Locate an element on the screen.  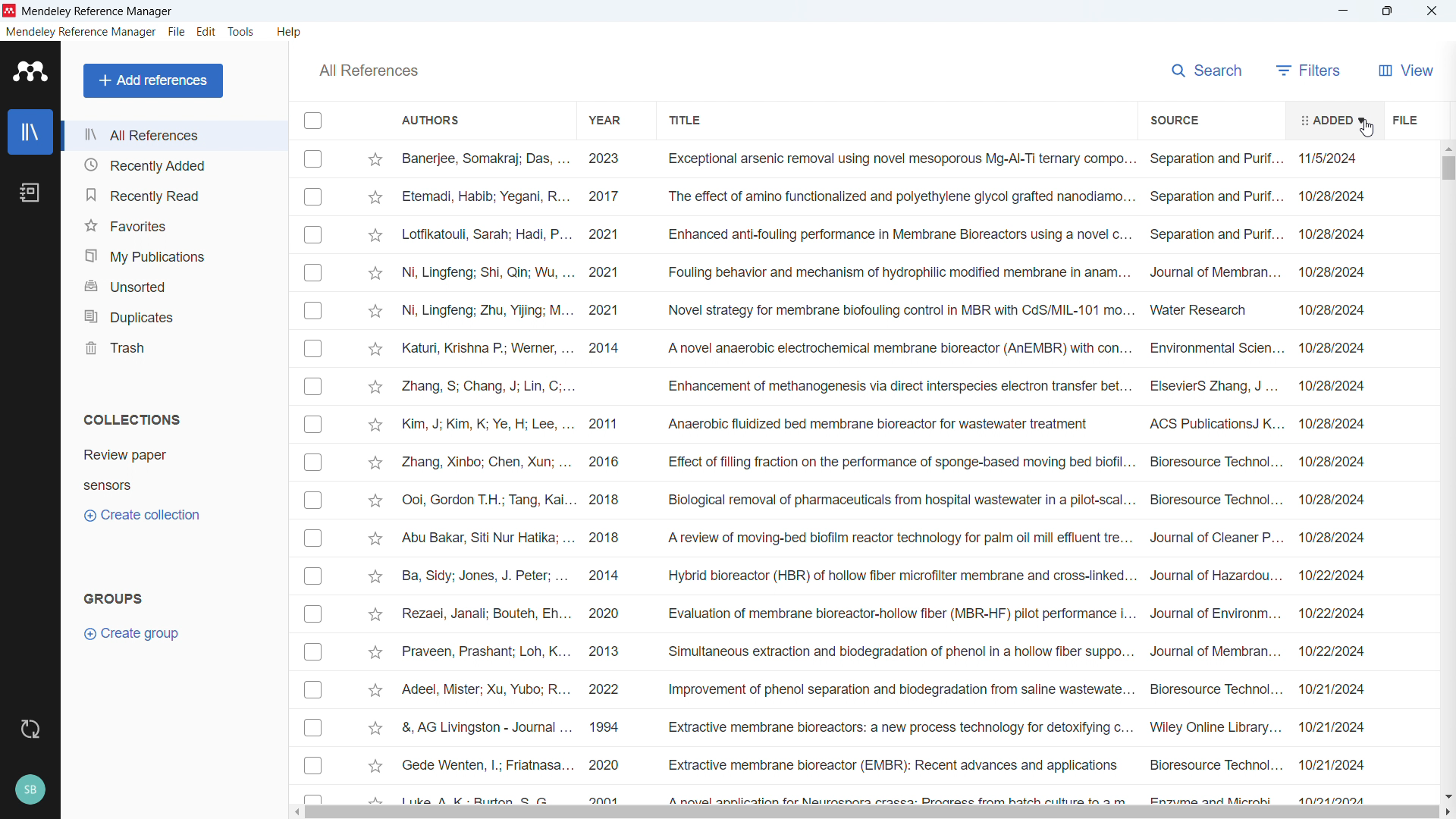
Create collection  is located at coordinates (143, 516).